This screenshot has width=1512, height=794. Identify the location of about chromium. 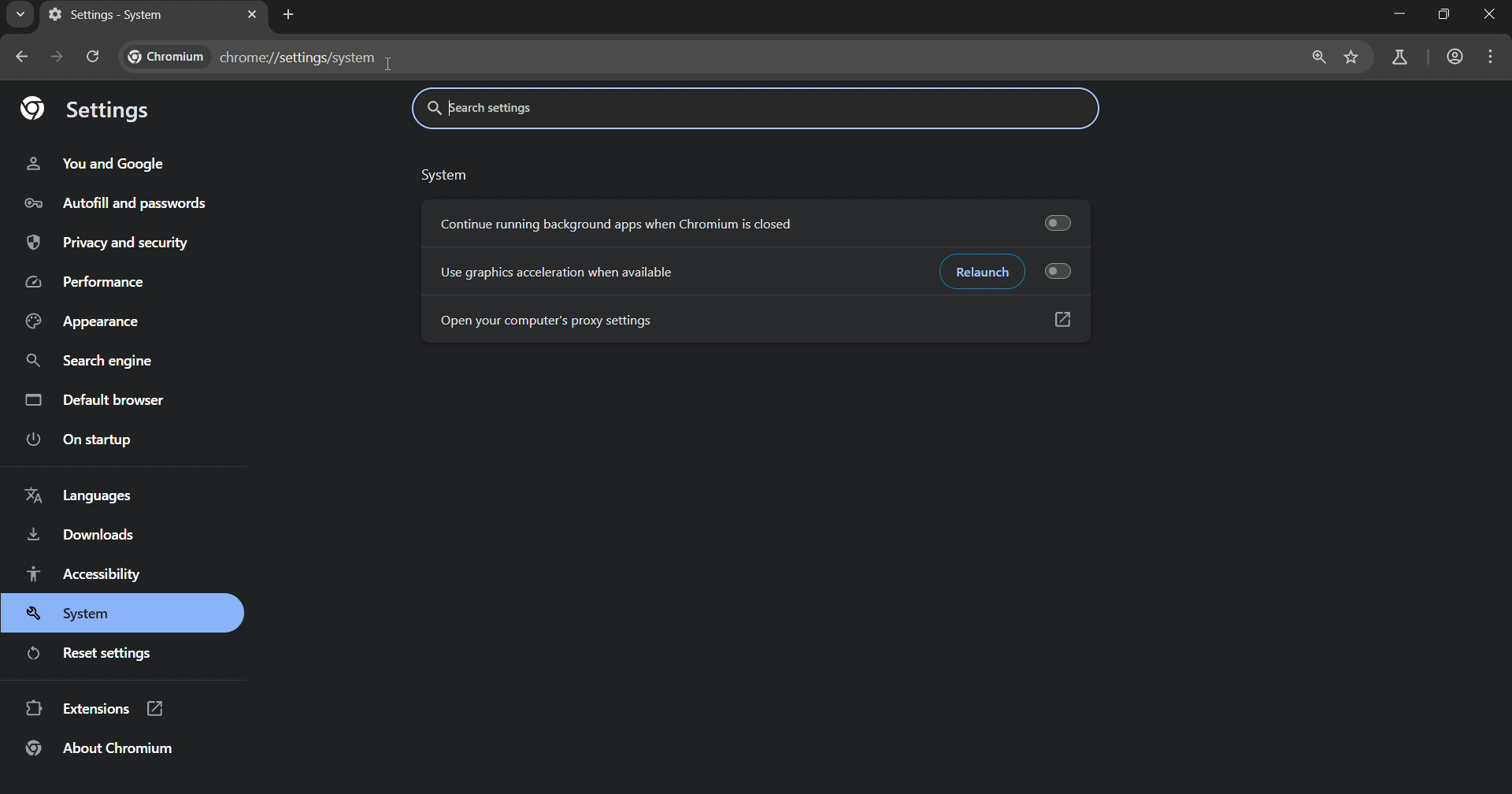
(102, 750).